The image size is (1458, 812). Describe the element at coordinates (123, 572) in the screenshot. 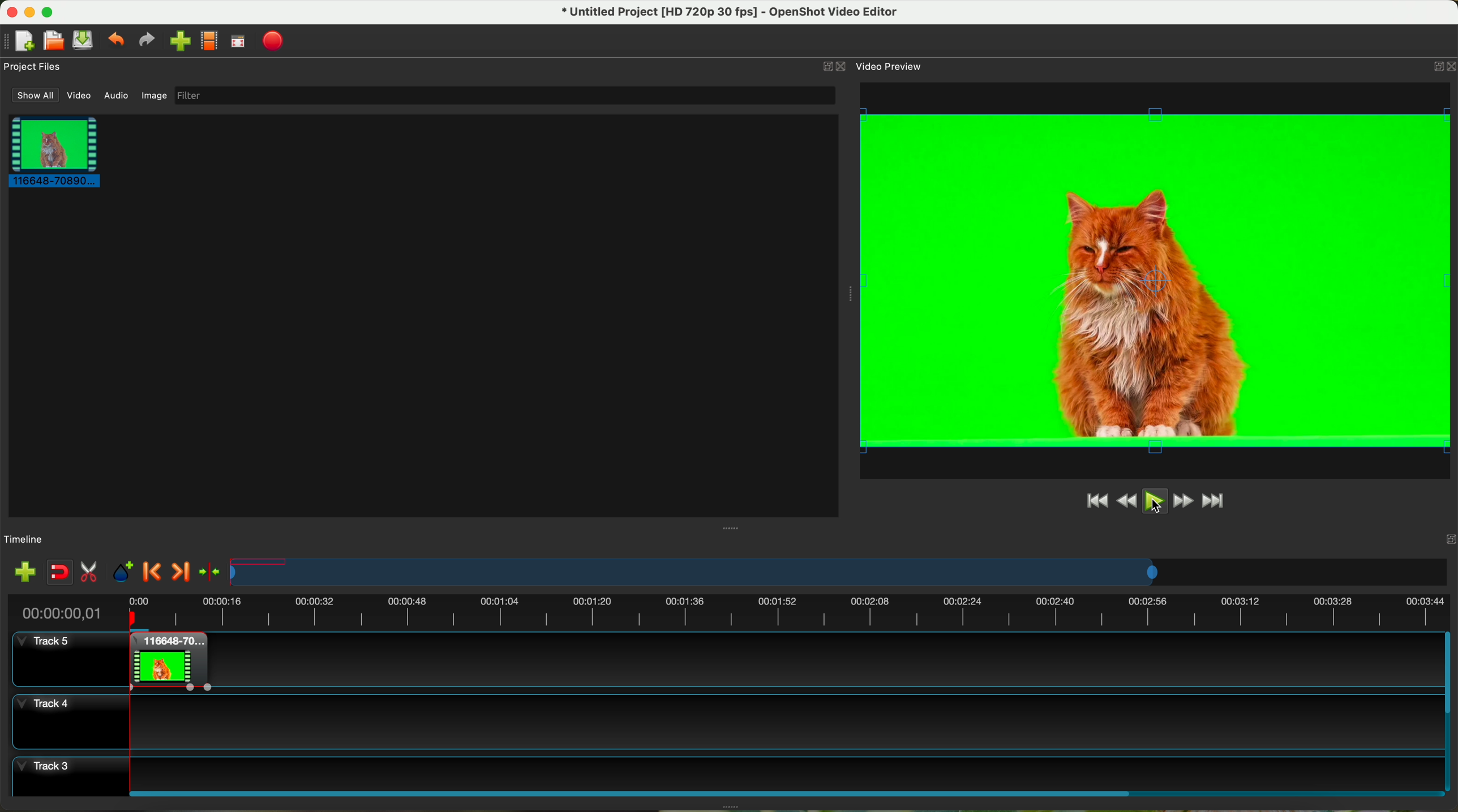

I see `add mark` at that location.